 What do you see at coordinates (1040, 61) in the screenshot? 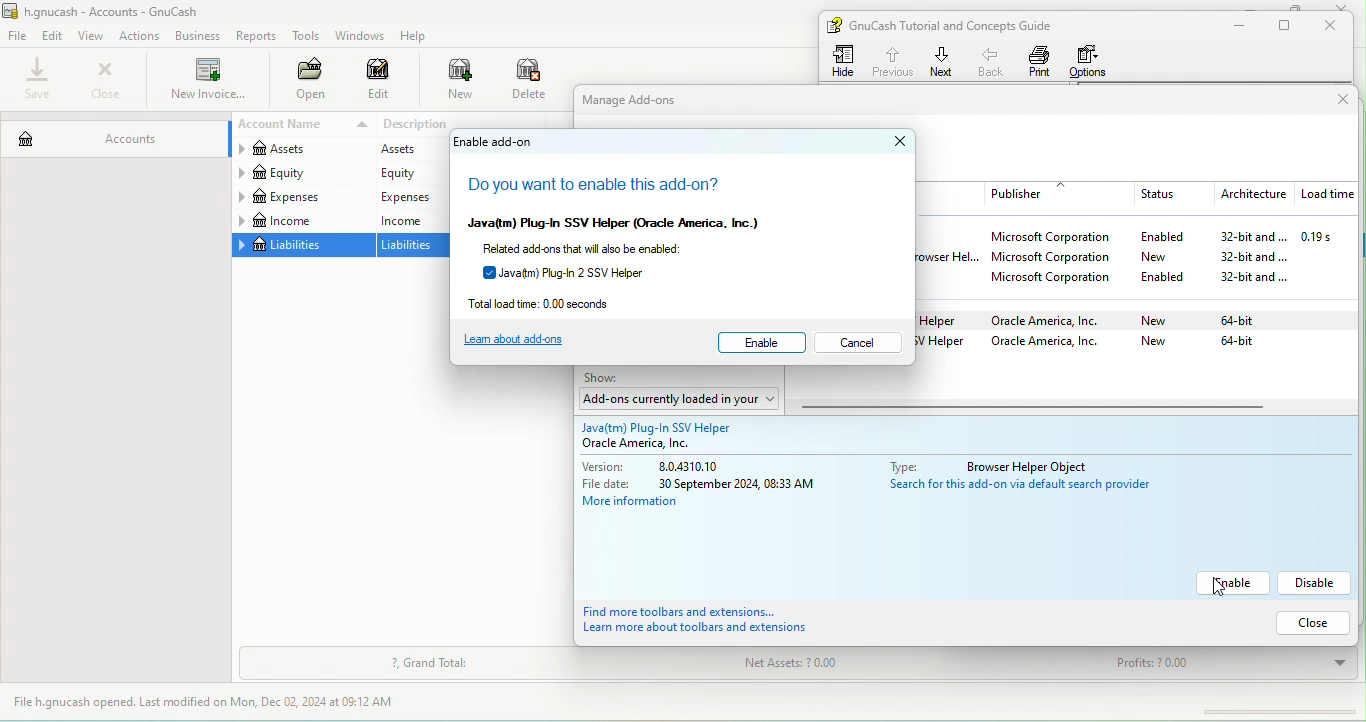
I see `print` at bounding box center [1040, 61].